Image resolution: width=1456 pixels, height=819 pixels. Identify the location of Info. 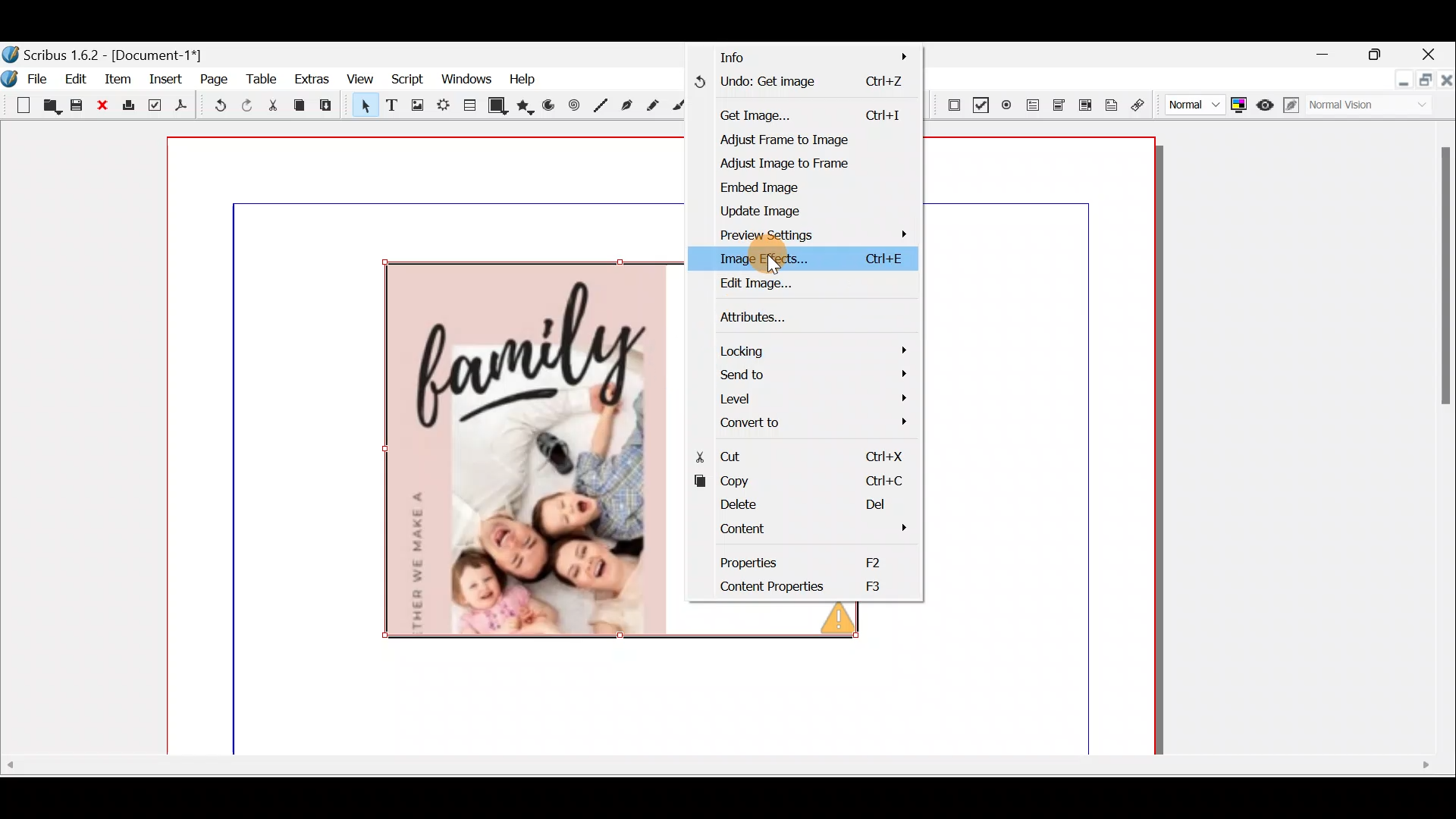
(812, 58).